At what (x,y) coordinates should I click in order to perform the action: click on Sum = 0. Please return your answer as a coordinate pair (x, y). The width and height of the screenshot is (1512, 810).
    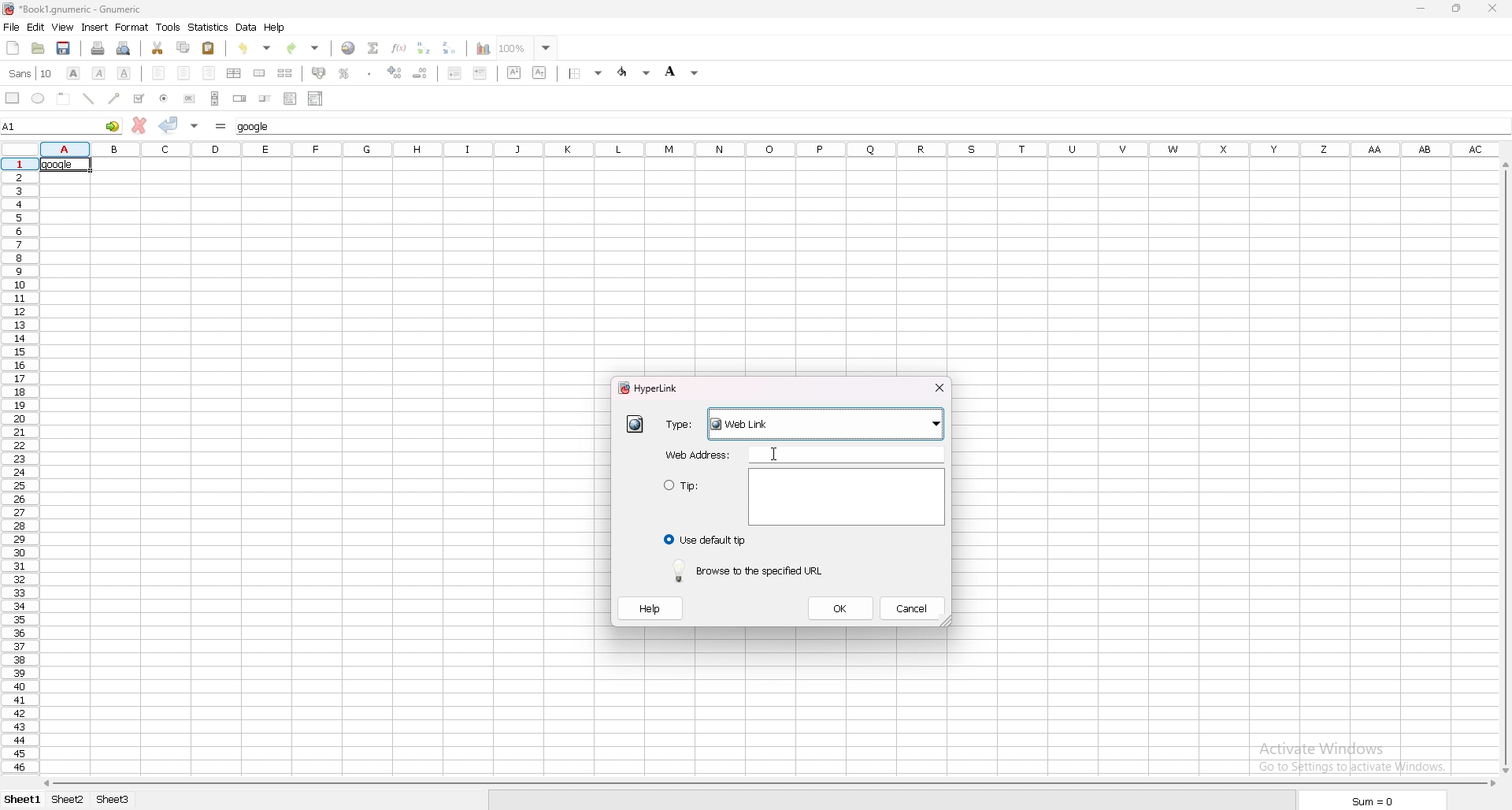
    Looking at the image, I should click on (1377, 802).